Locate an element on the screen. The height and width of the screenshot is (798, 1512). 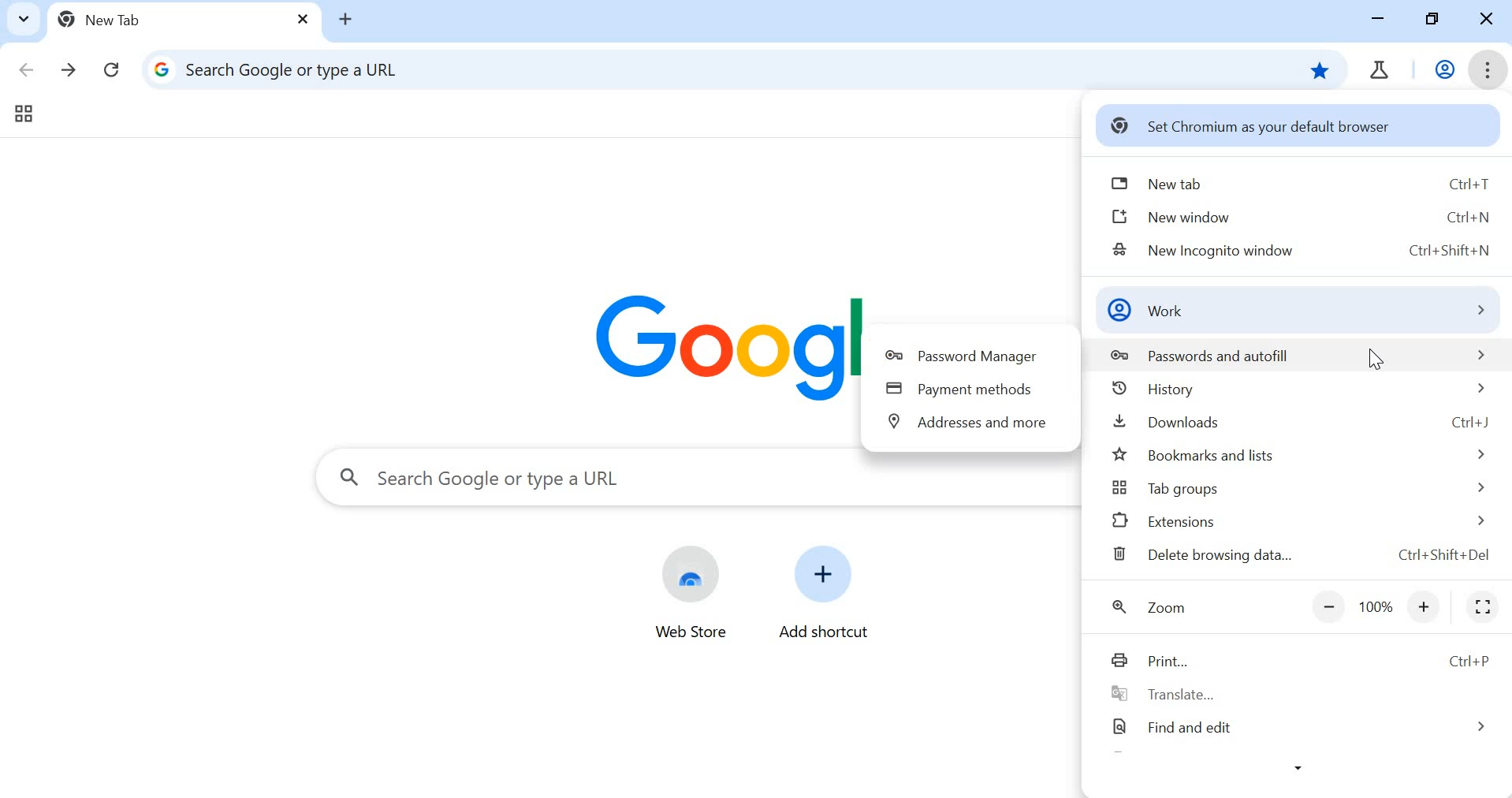
search tabs is located at coordinates (22, 17).